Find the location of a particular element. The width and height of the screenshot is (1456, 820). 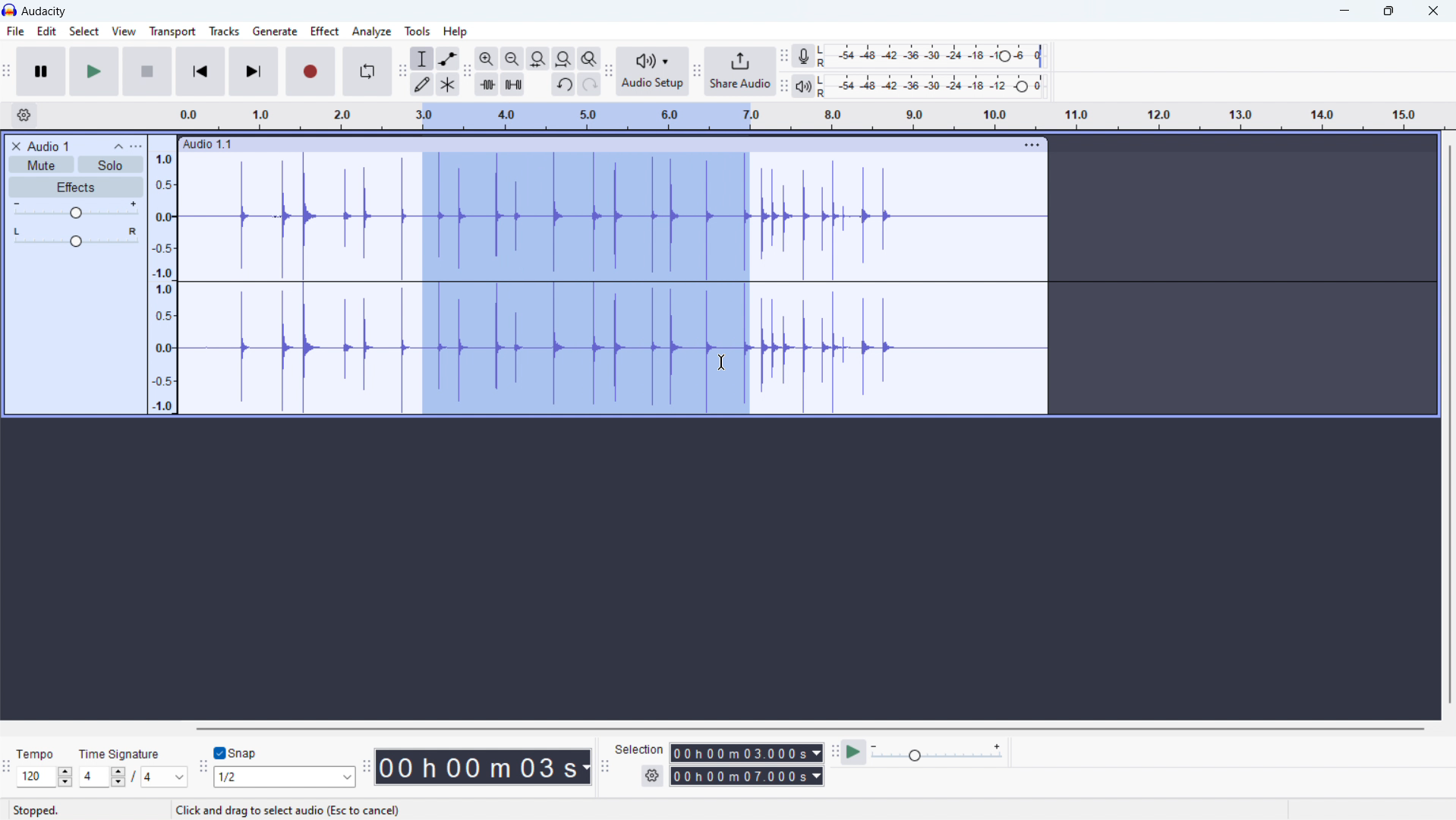

undo is located at coordinates (563, 84).